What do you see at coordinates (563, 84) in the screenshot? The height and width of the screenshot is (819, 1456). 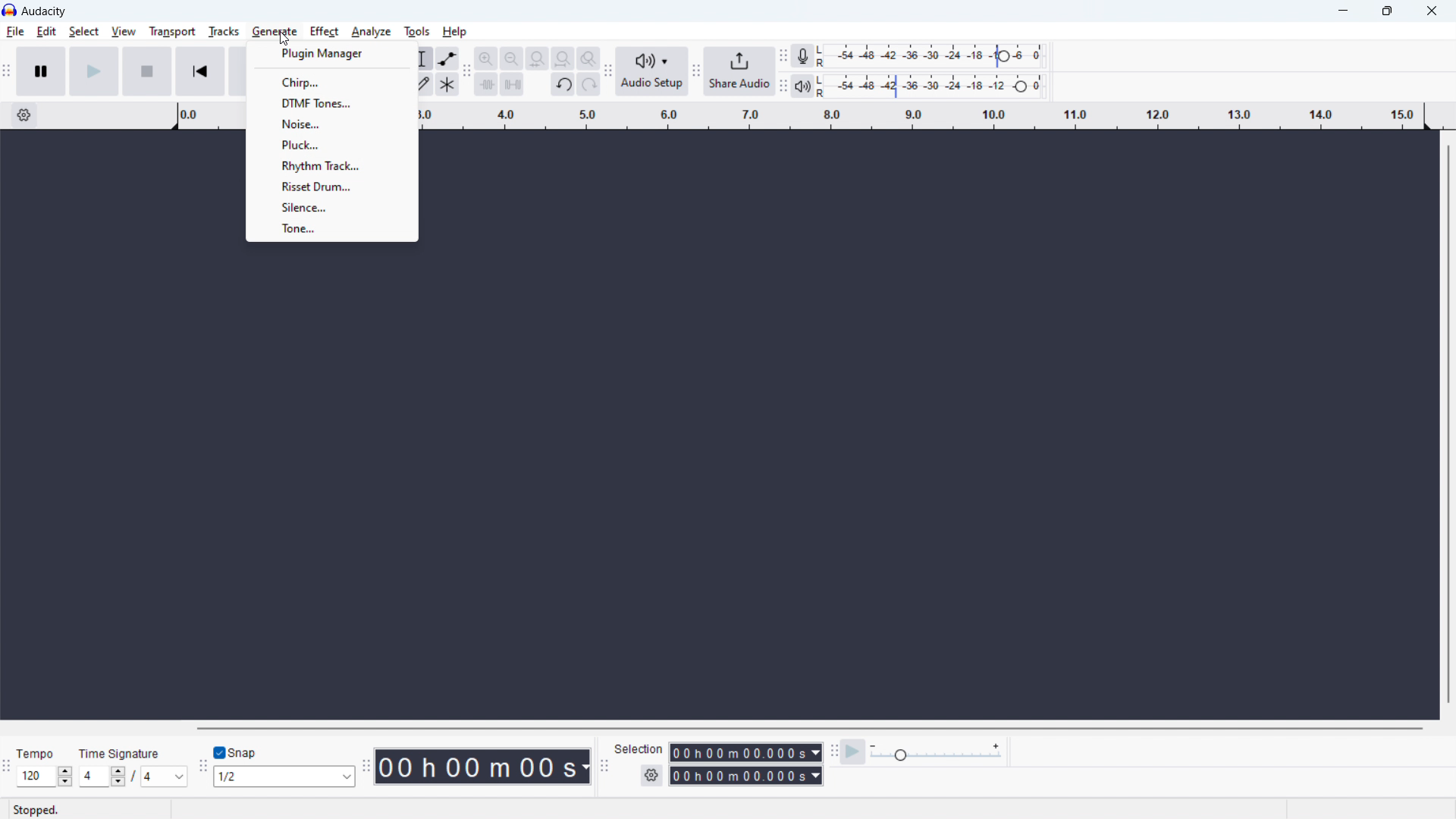 I see `undo` at bounding box center [563, 84].